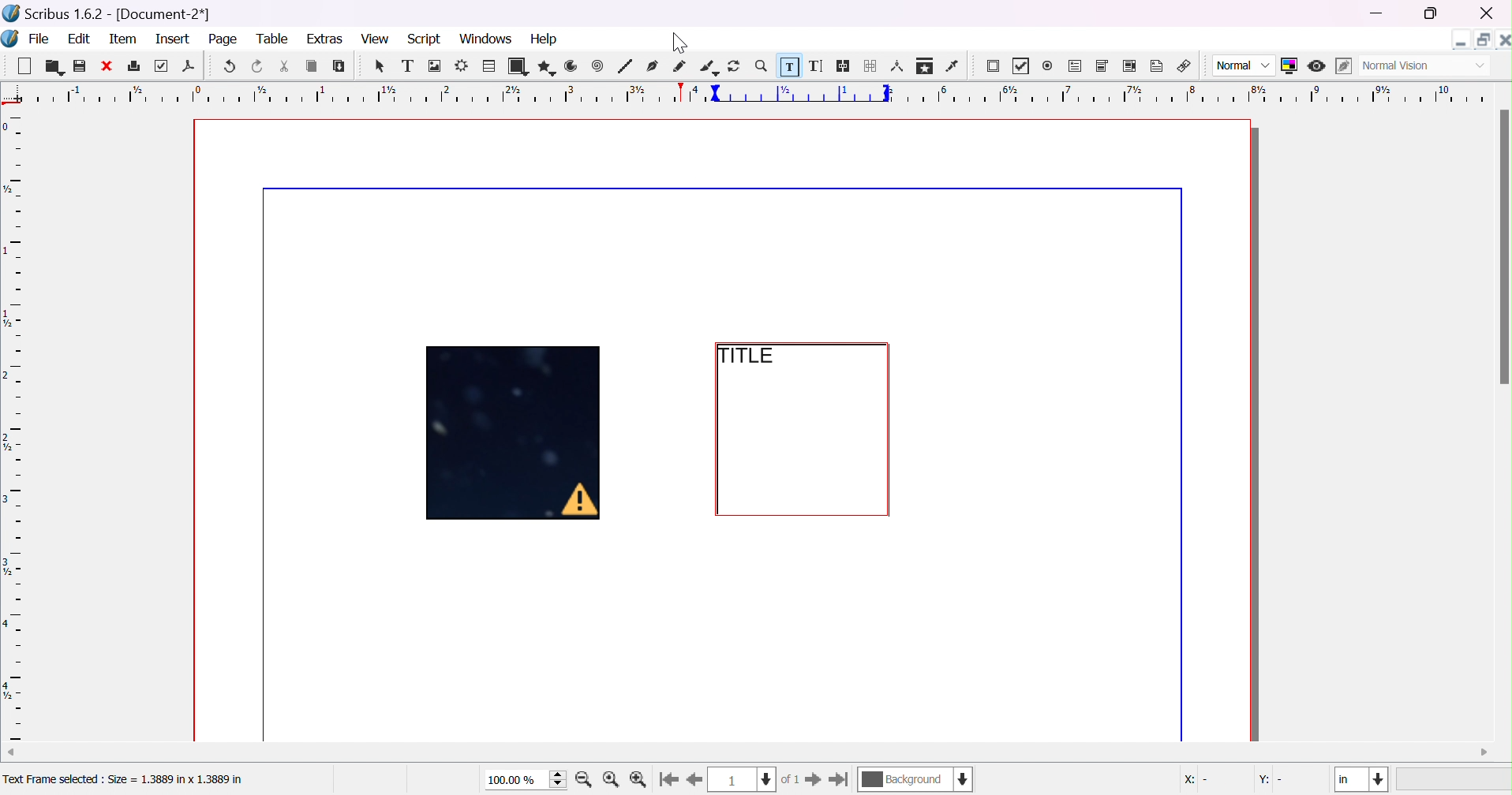 The image size is (1512, 795). Describe the element at coordinates (812, 779) in the screenshot. I see `go to next page` at that location.